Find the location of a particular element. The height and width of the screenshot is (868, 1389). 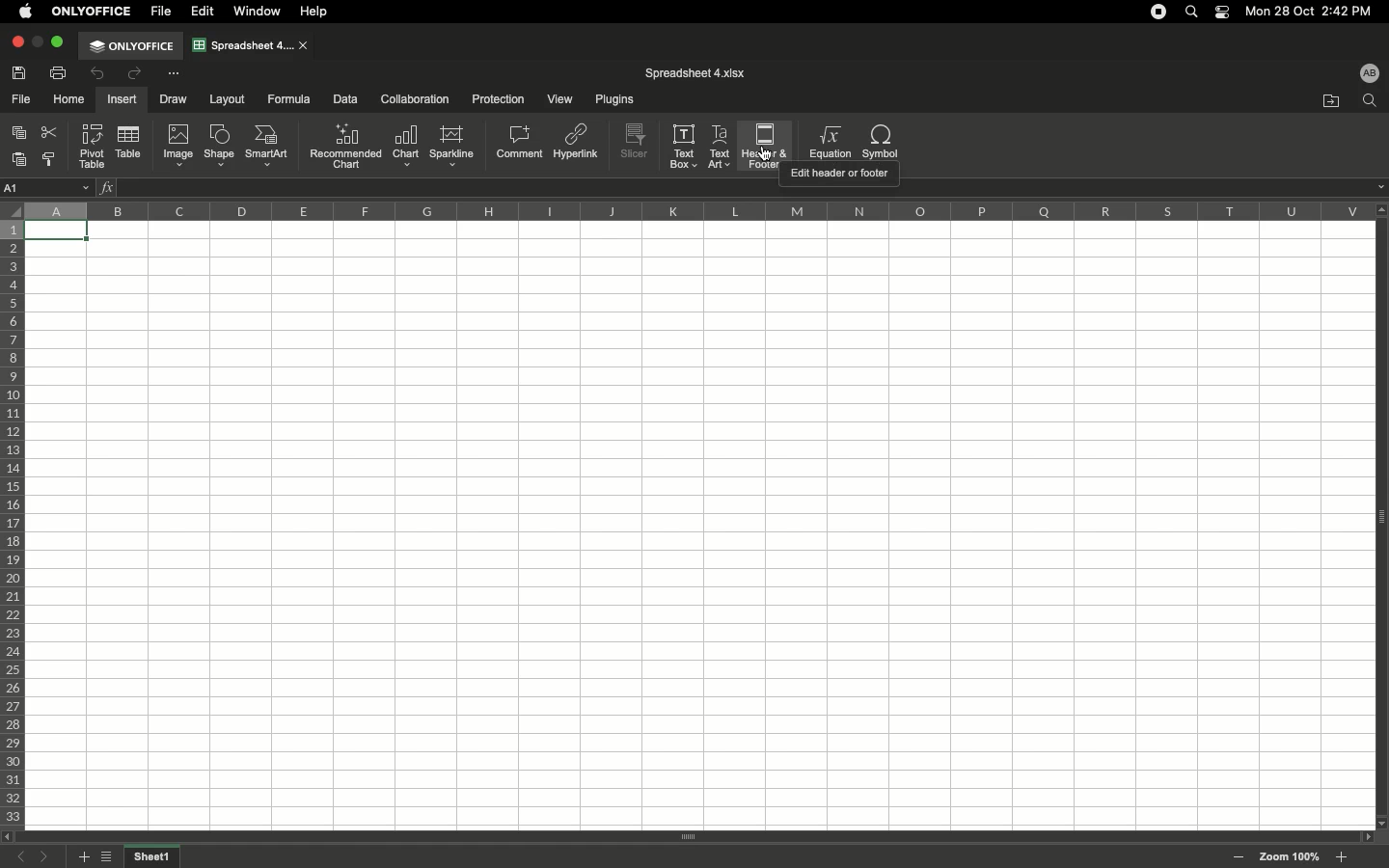

Selected cell is located at coordinates (58, 232).